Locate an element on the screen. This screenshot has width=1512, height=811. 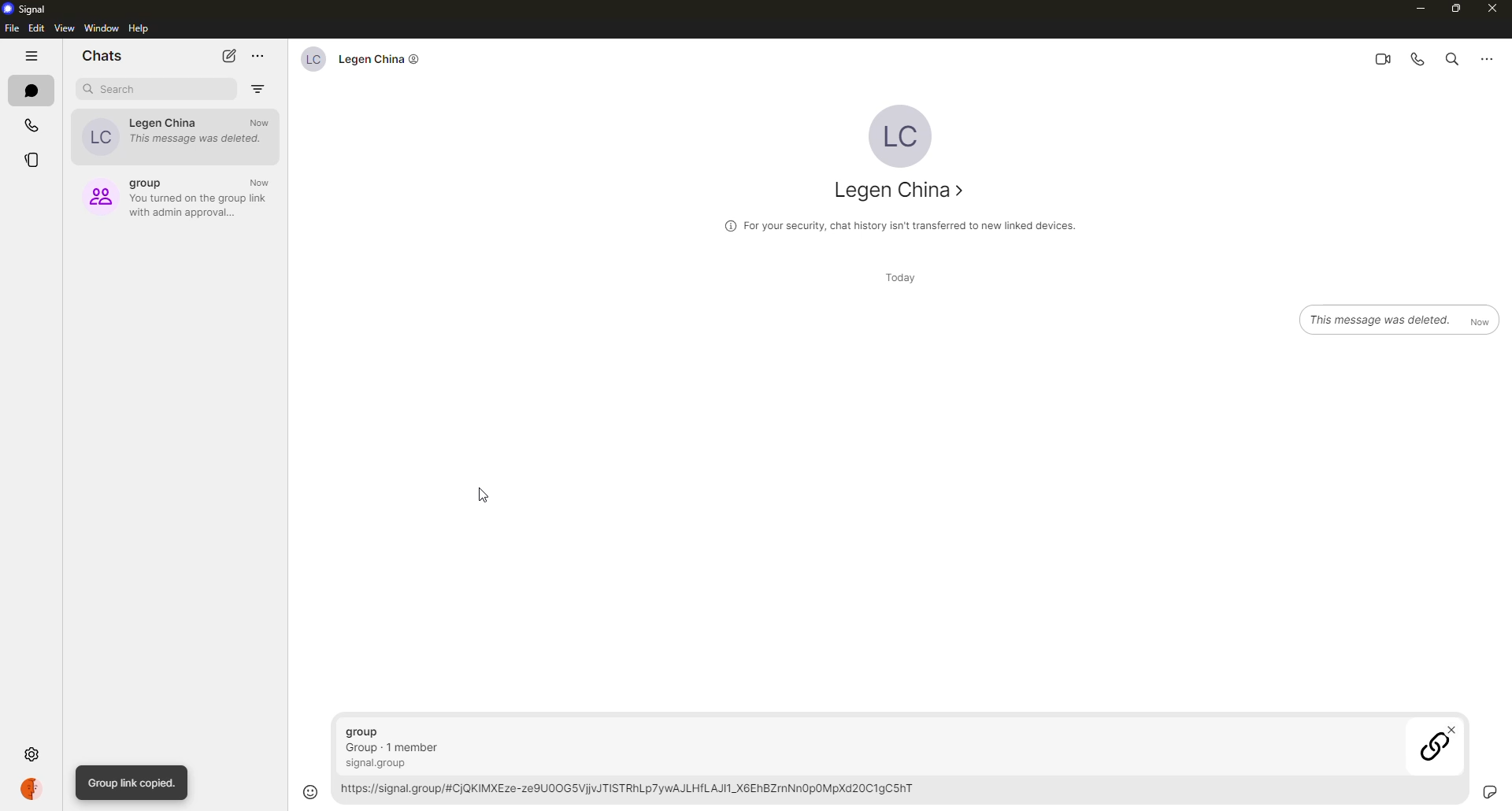
search is located at coordinates (1449, 61).